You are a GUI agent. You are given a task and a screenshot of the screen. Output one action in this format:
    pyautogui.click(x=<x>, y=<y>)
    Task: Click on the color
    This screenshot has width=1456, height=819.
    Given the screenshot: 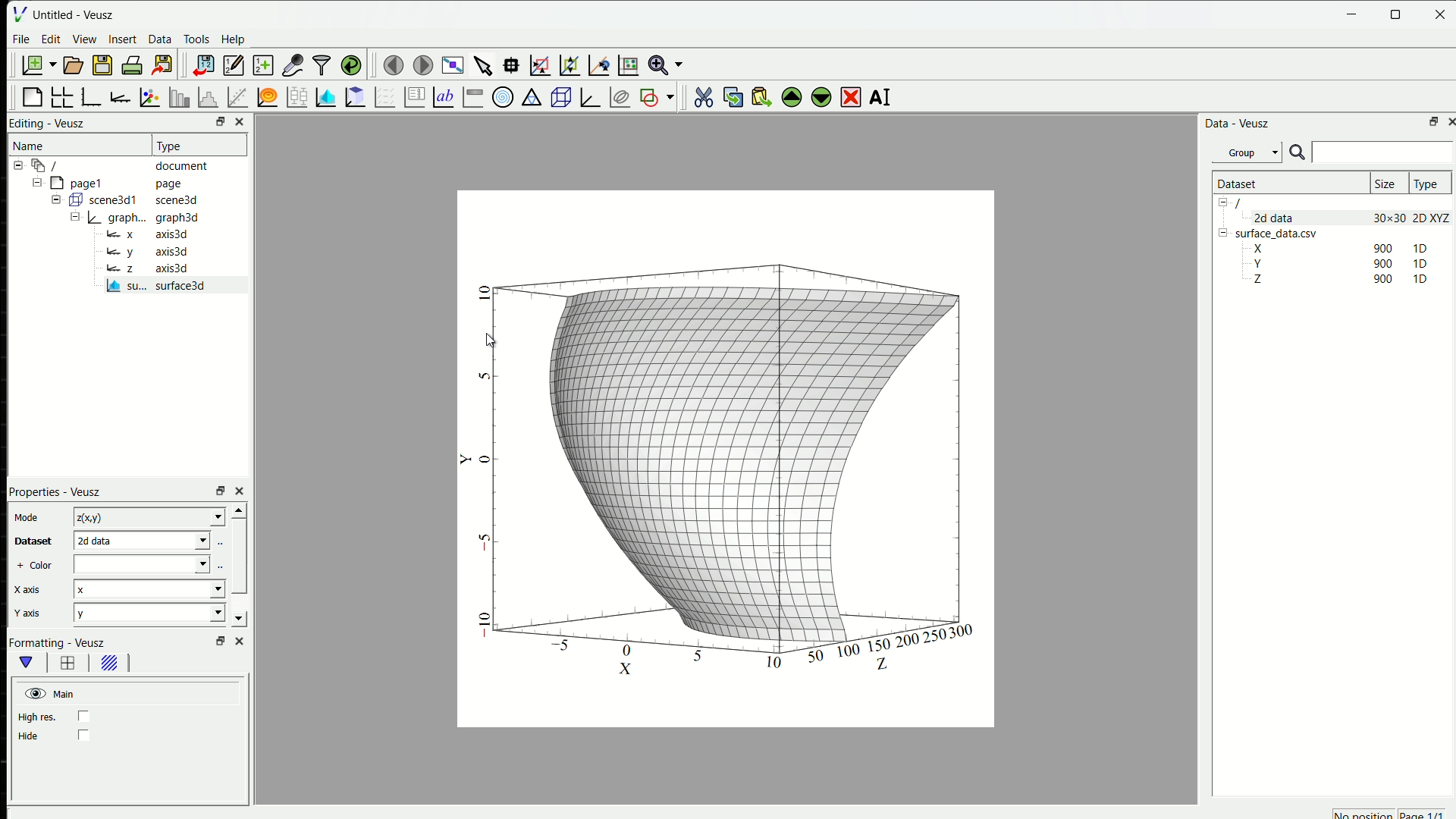 What is the action you would take?
    pyautogui.click(x=132, y=563)
    